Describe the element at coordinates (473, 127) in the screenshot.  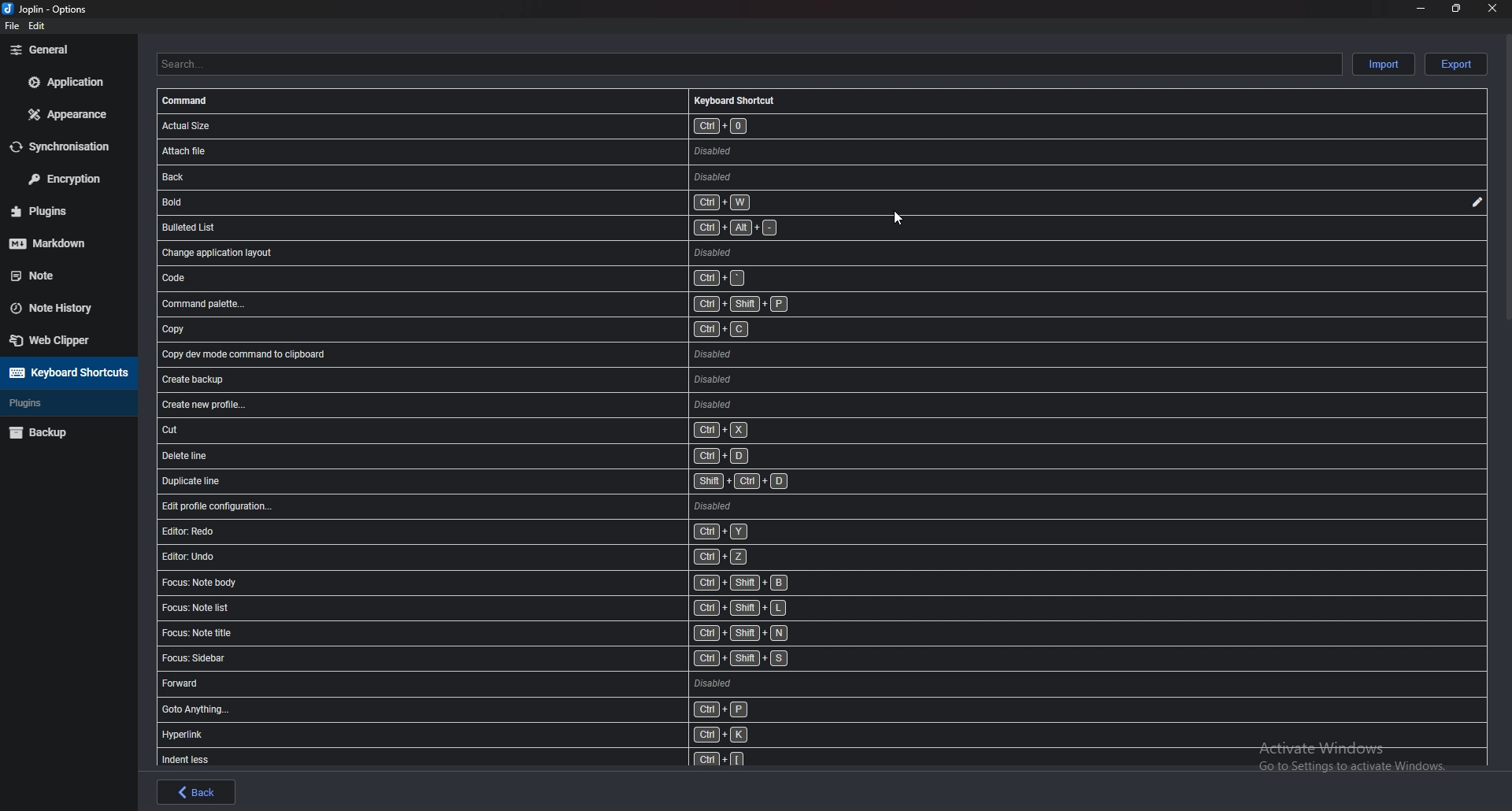
I see `shortcut` at that location.